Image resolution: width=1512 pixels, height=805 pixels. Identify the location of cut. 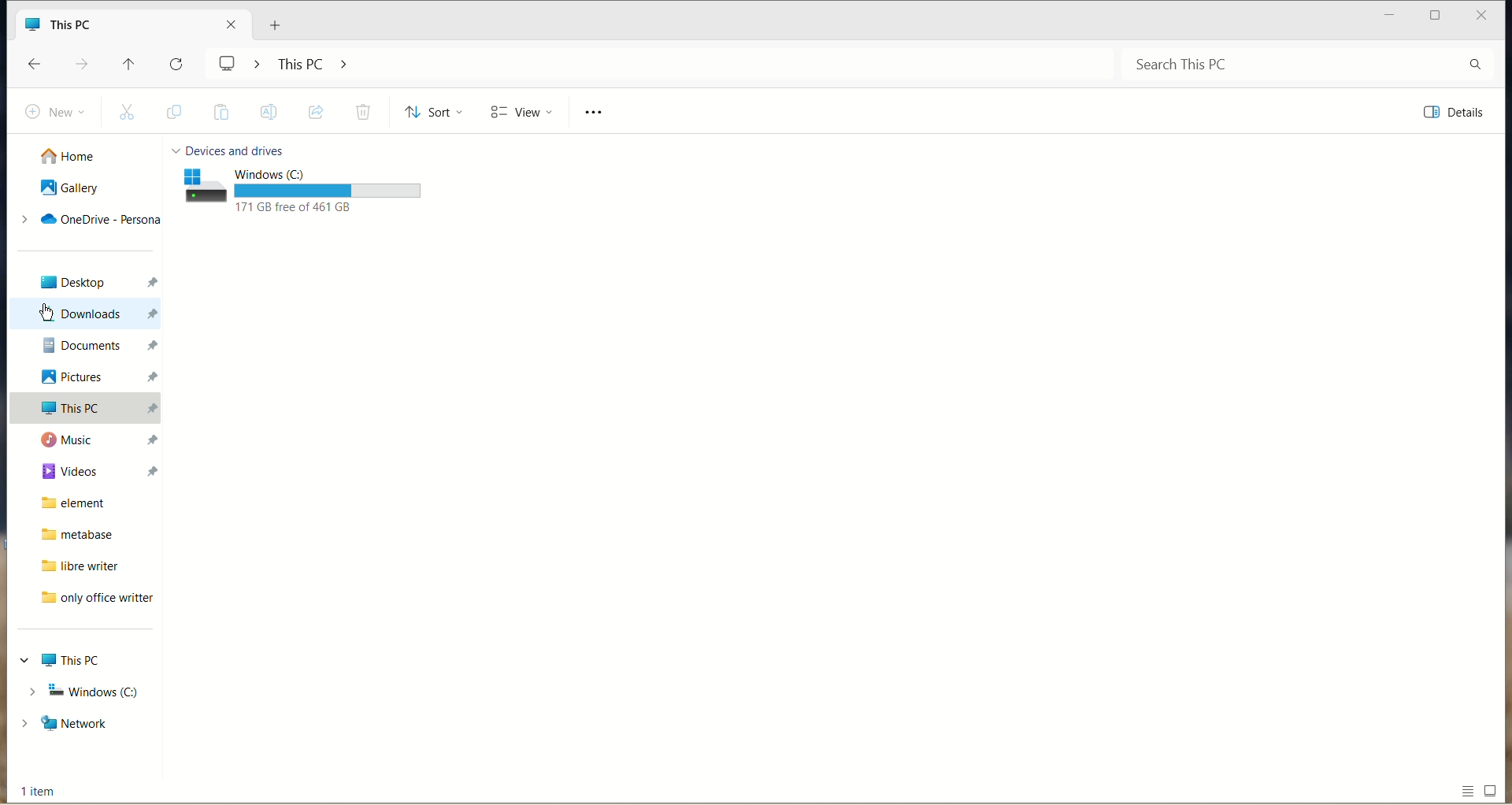
(129, 113).